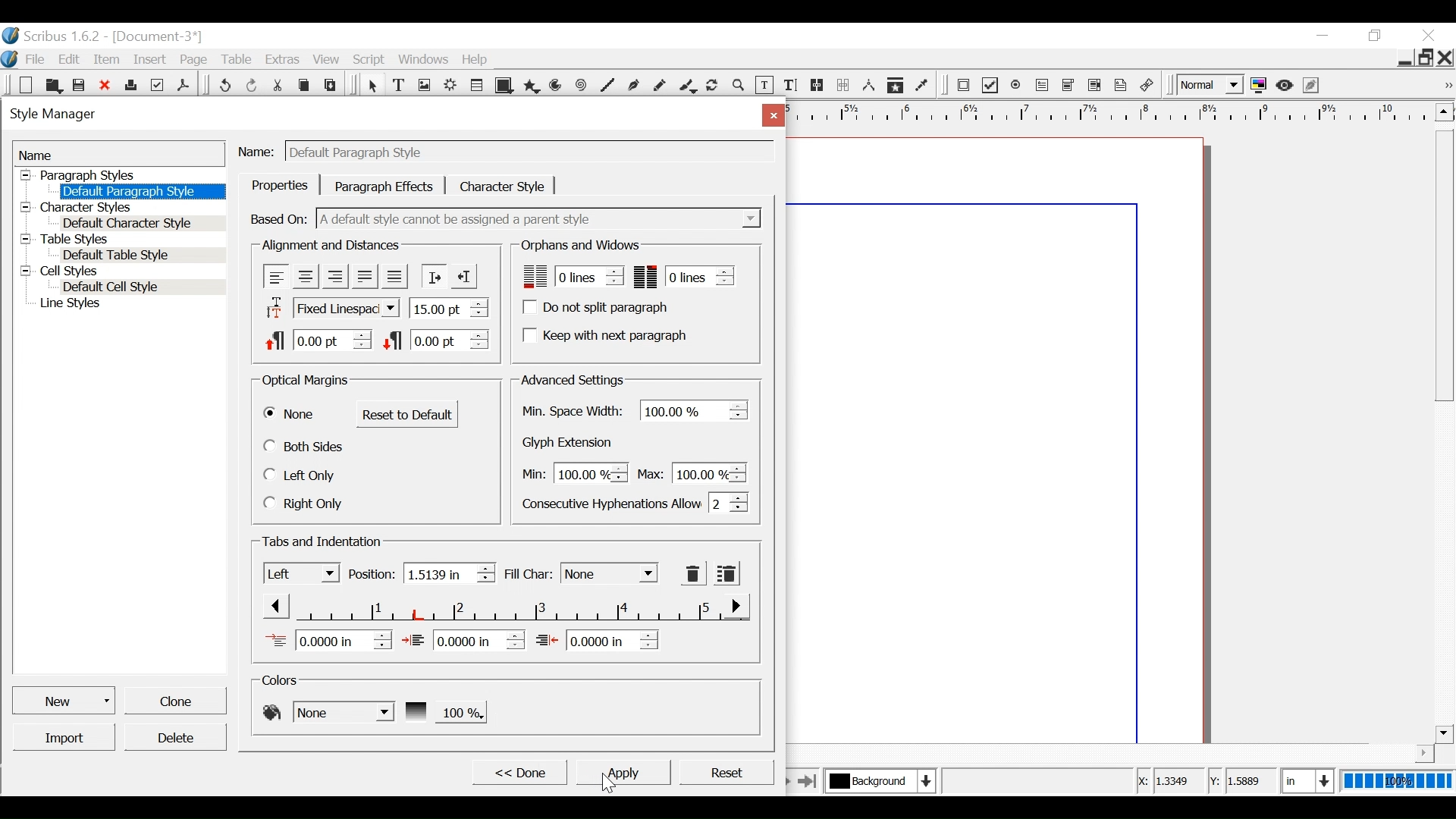  Describe the element at coordinates (895, 86) in the screenshot. I see `Copy items properties` at that location.